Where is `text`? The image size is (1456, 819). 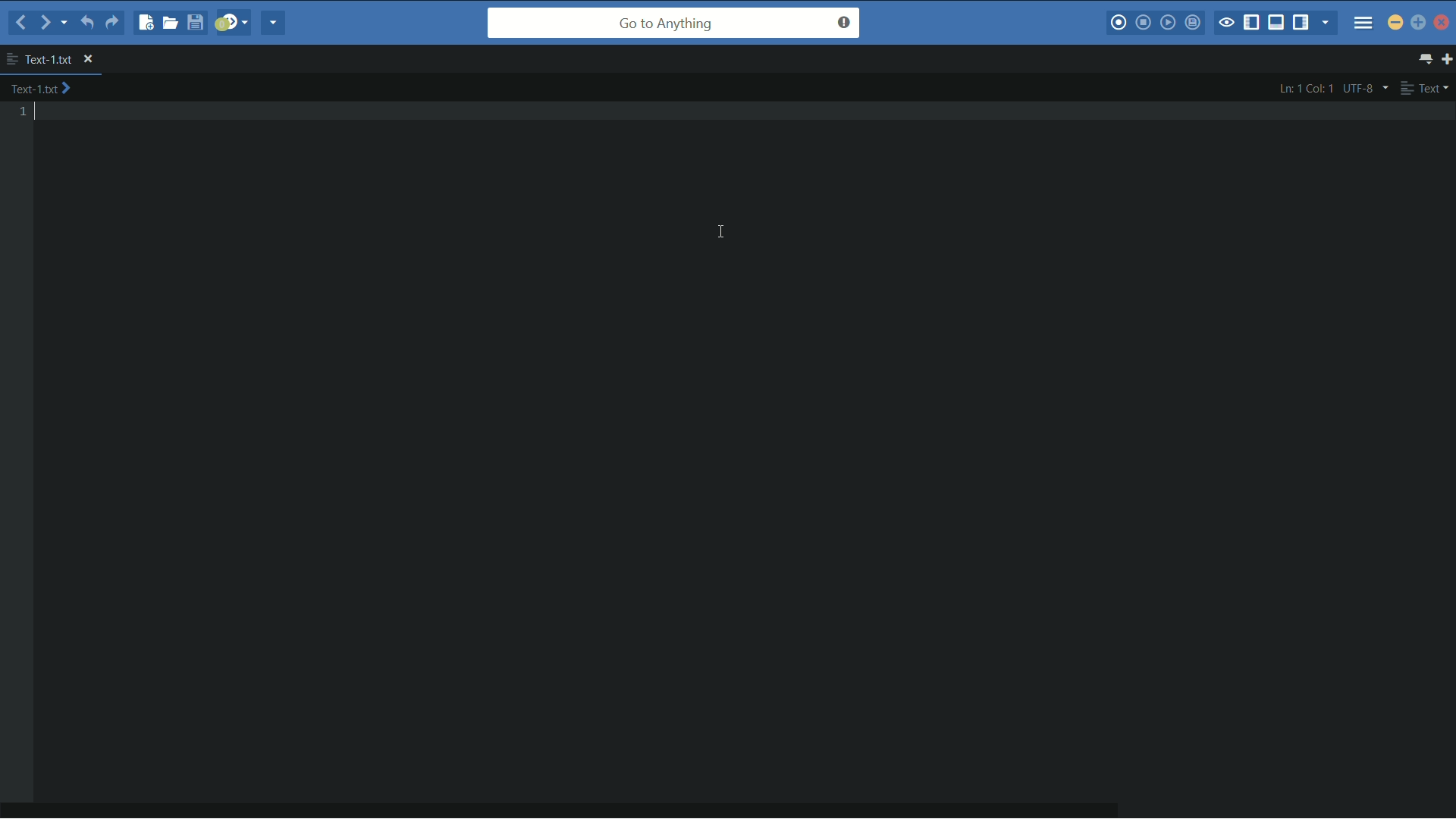 text is located at coordinates (1424, 88).